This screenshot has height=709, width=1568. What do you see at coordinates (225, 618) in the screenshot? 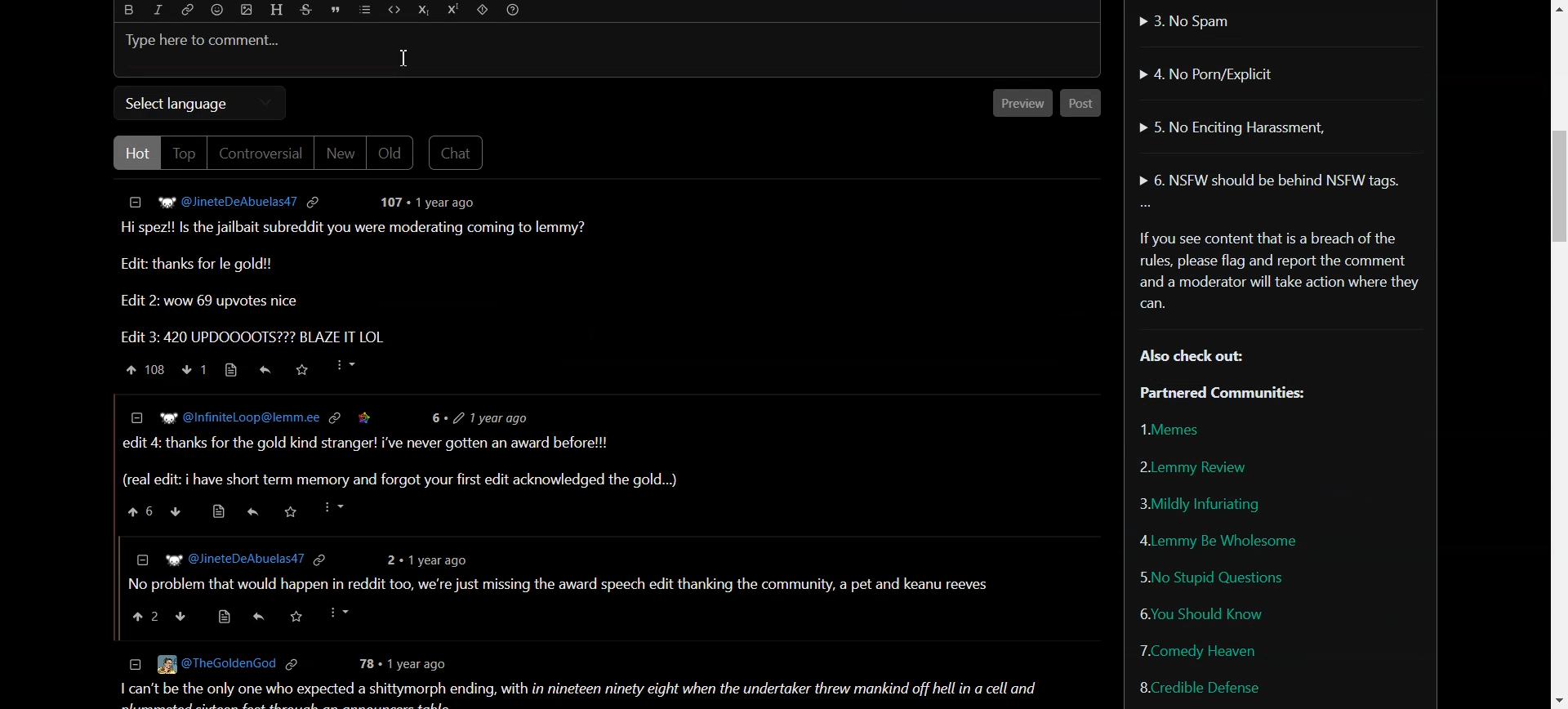
I see `source` at bounding box center [225, 618].